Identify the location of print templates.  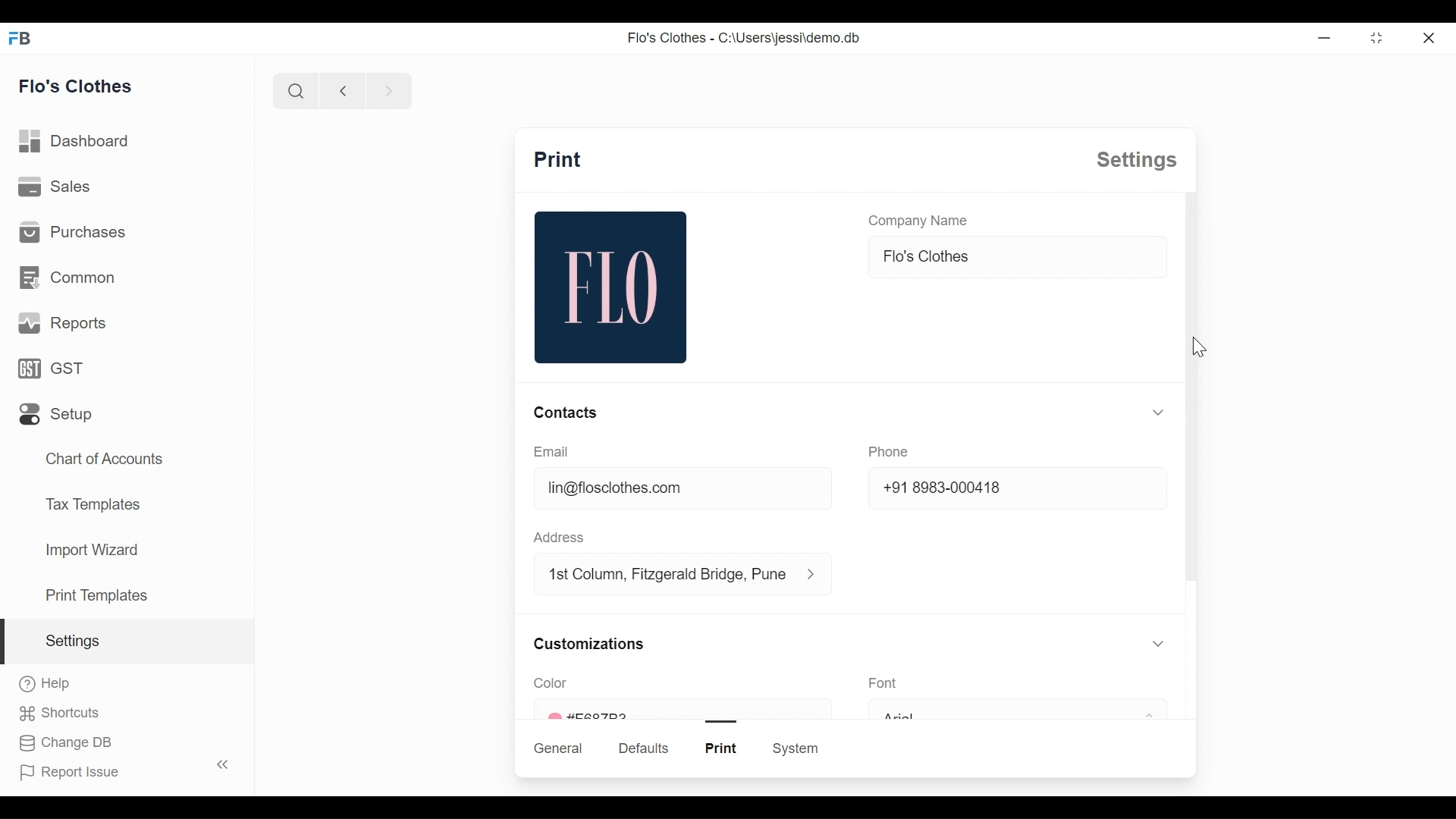
(97, 595).